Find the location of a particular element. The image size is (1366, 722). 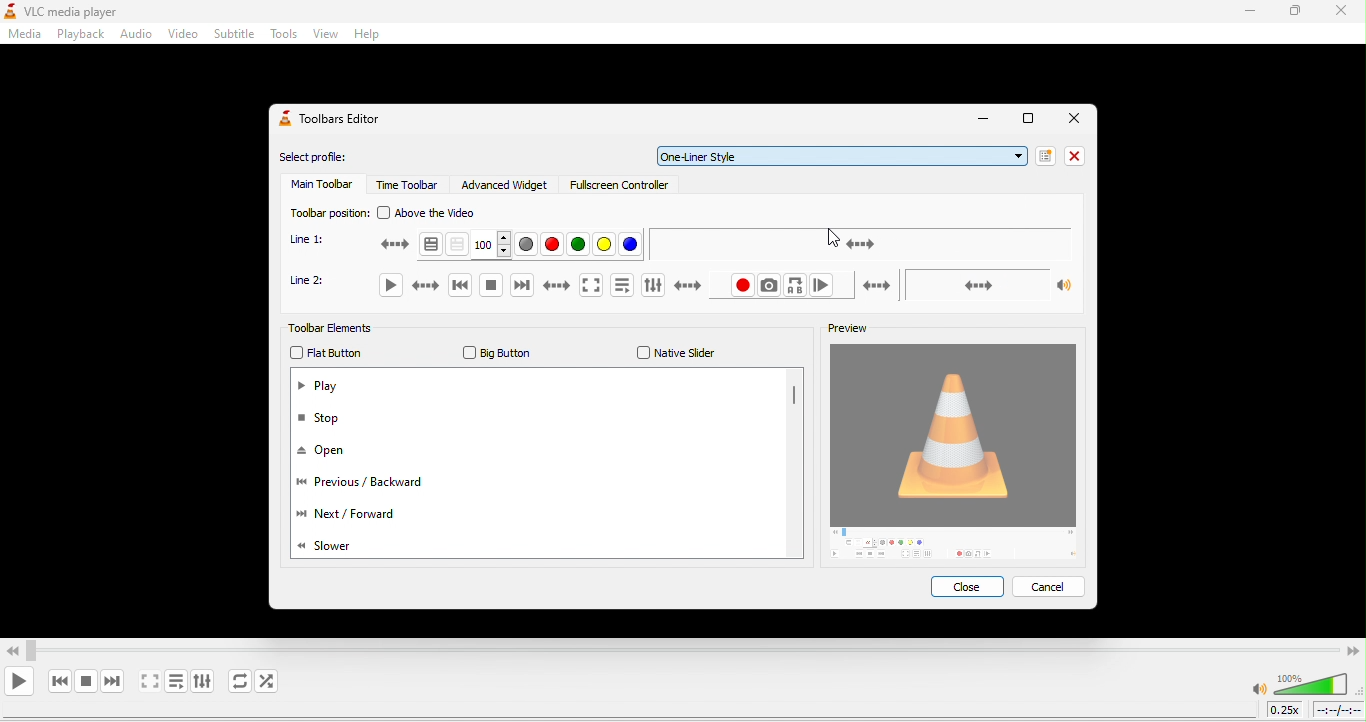

toggle the video in full screen is located at coordinates (571, 283).